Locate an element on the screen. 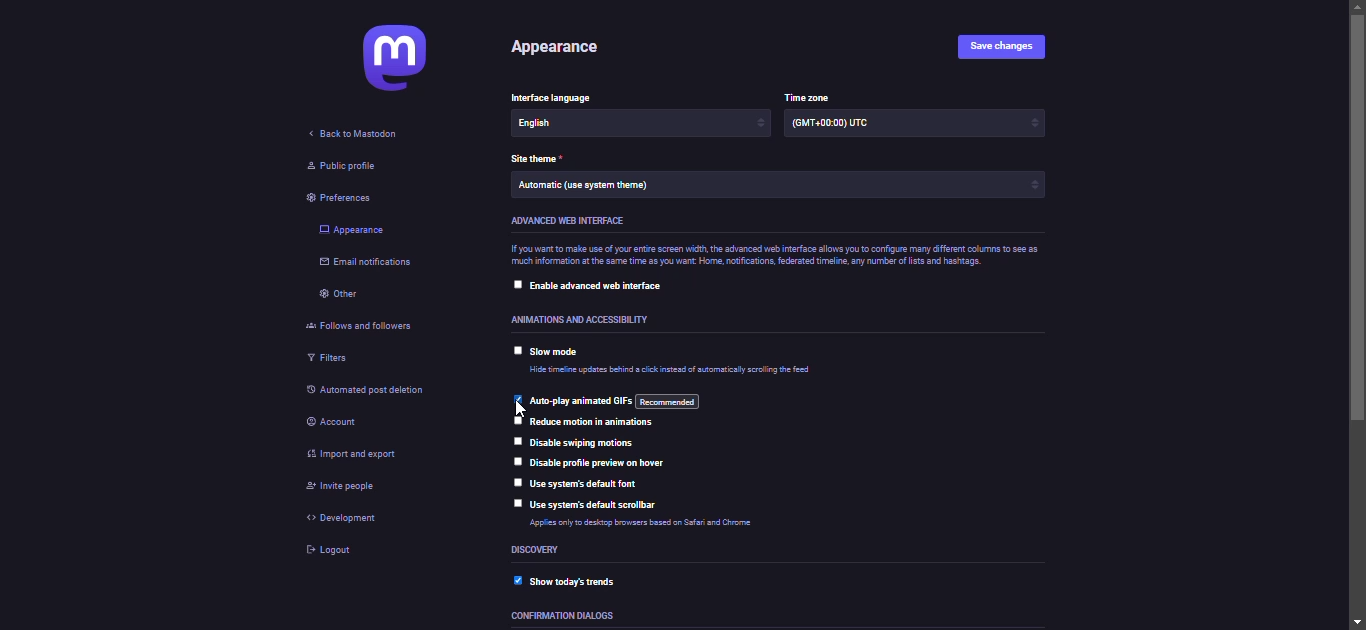  cursor is located at coordinates (521, 407).